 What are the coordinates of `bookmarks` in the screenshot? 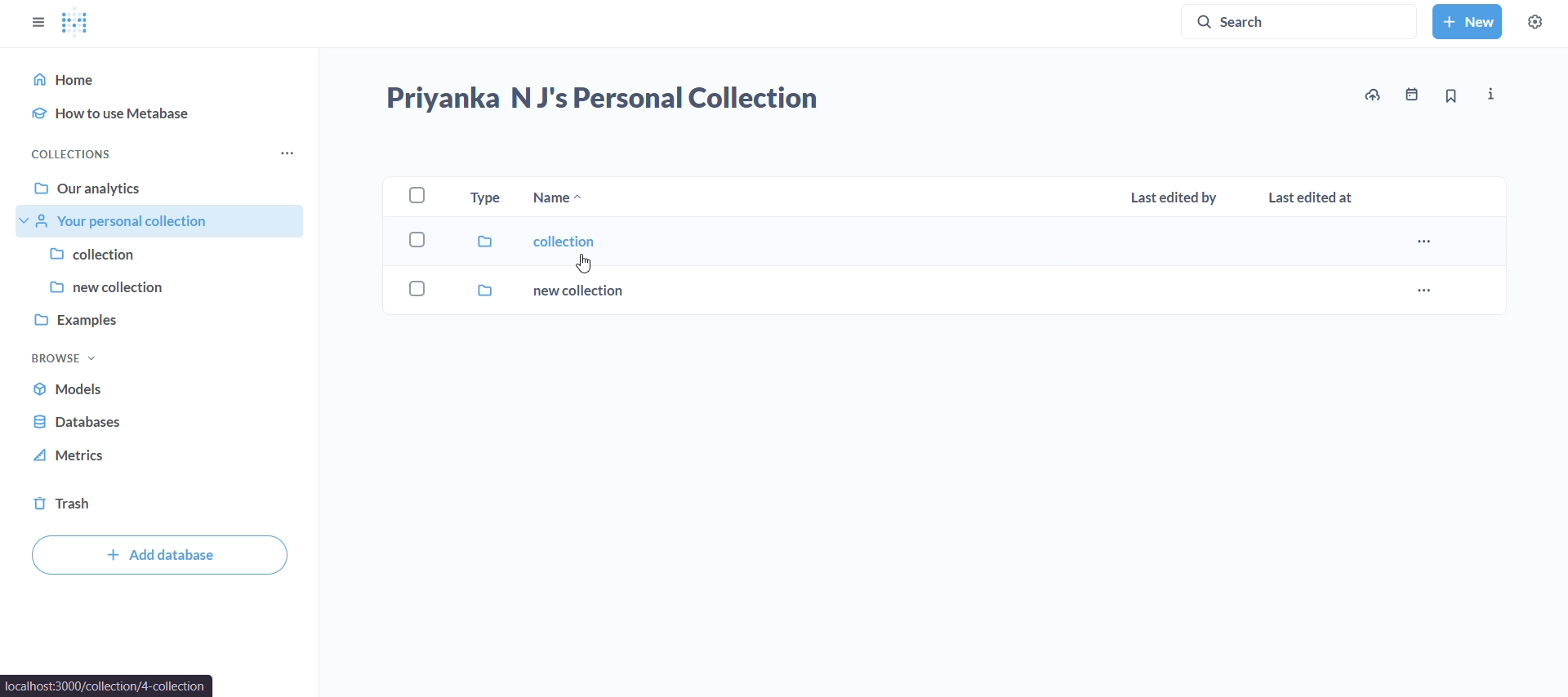 It's located at (1450, 95).